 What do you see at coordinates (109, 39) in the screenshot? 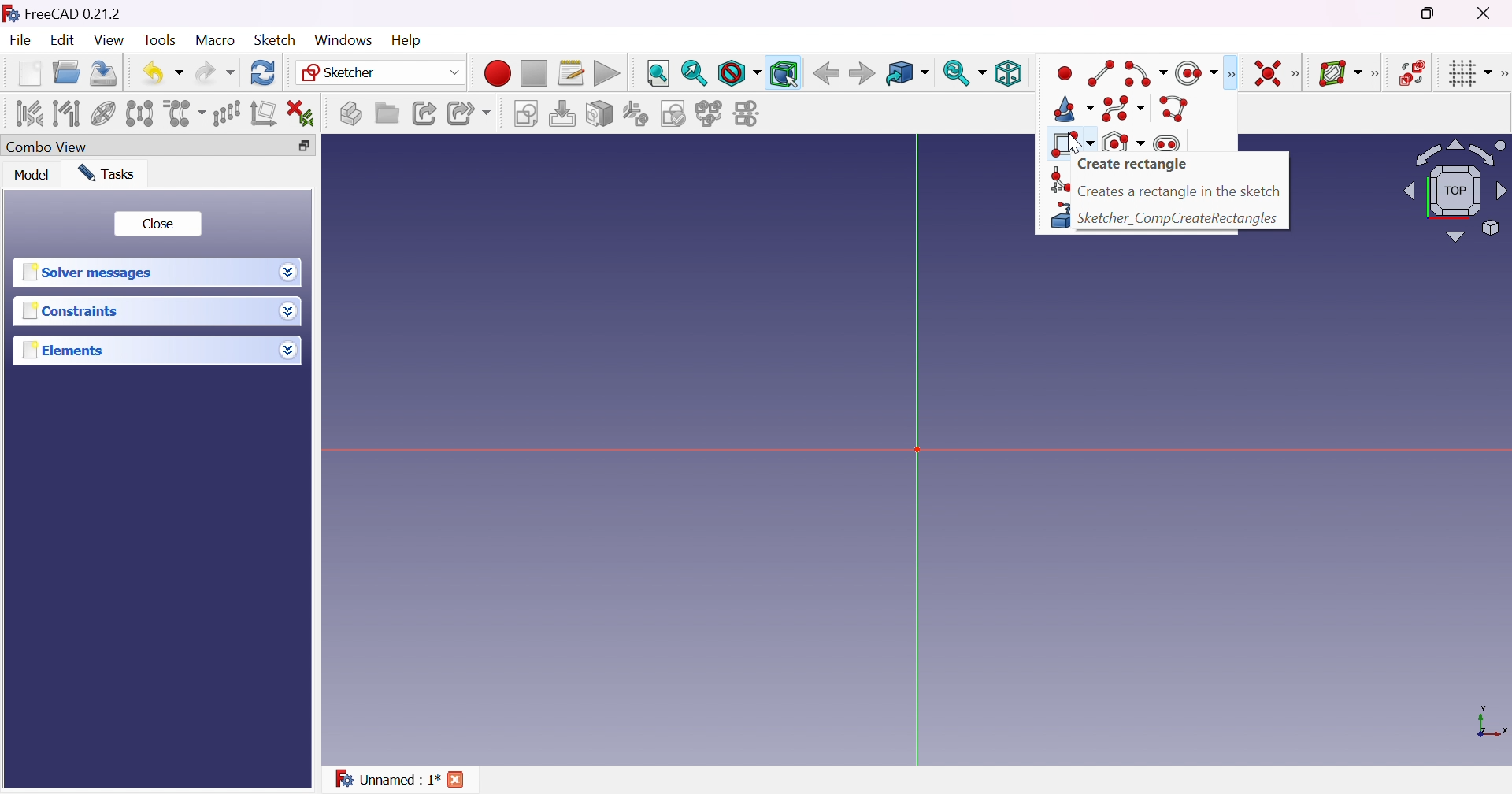
I see `View` at bounding box center [109, 39].